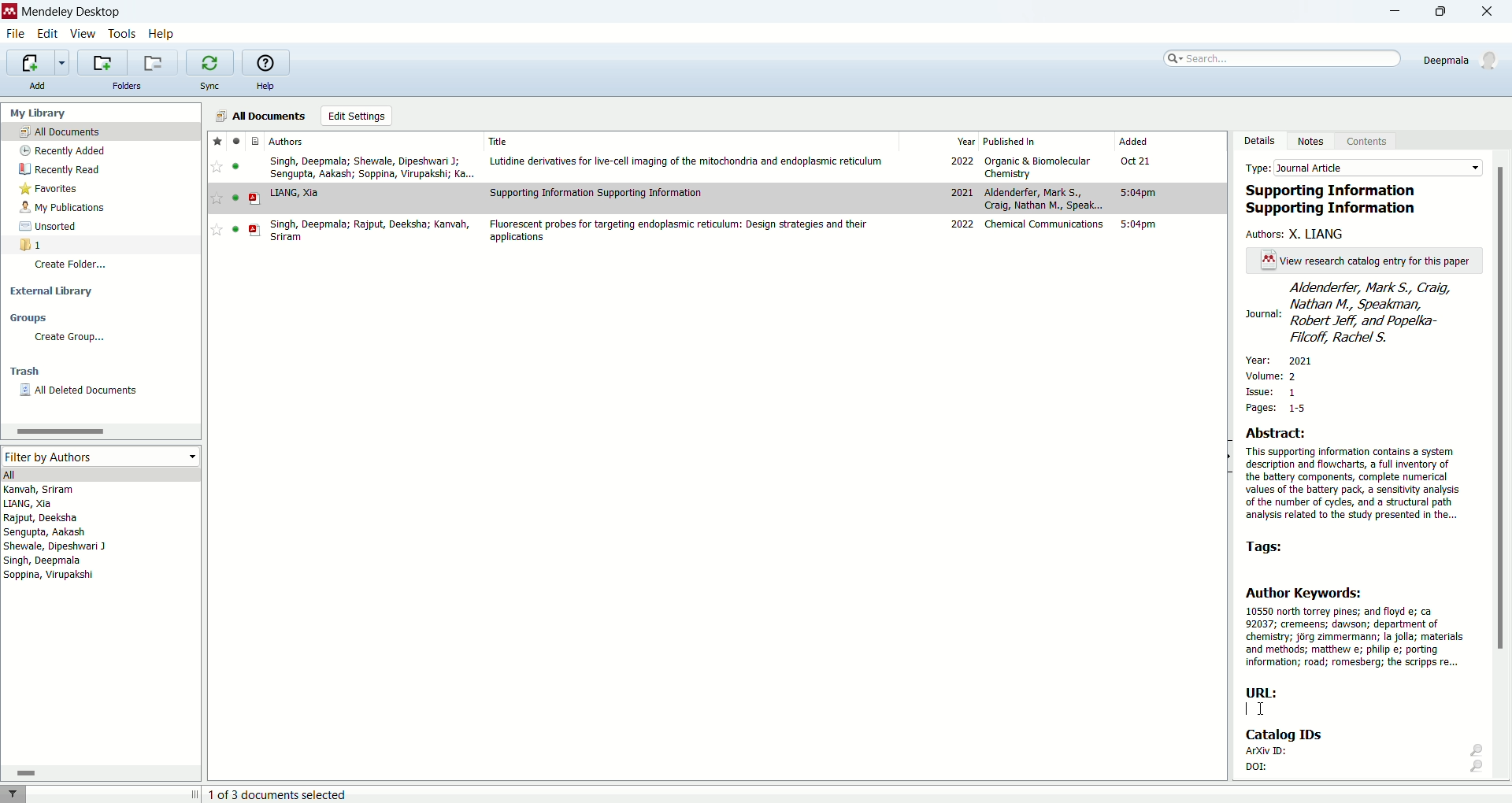  Describe the element at coordinates (1044, 198) in the screenshot. I see `Aldenderfer, Mark S.,
Craig, Nathan M., Speak...` at that location.